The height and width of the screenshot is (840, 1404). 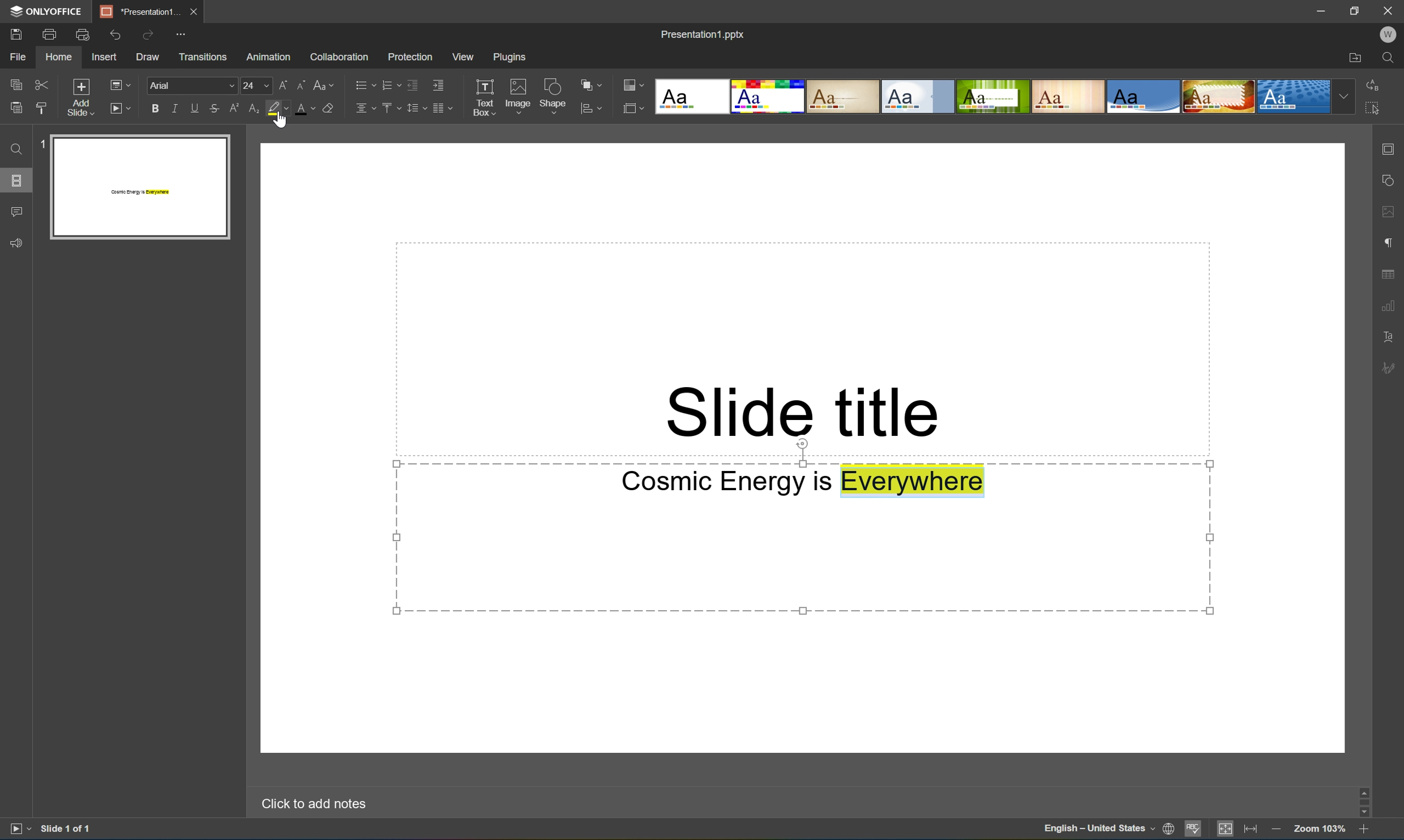 I want to click on Increment font size, so click(x=282, y=81).